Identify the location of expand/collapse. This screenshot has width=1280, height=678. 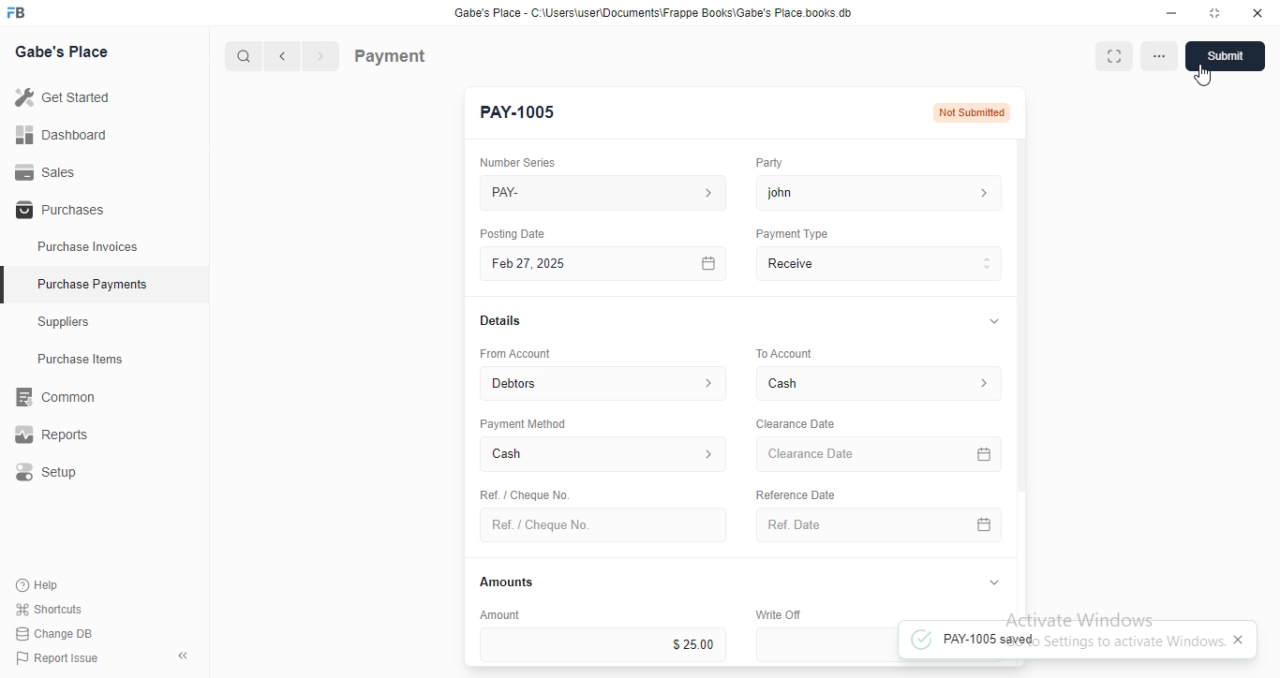
(993, 583).